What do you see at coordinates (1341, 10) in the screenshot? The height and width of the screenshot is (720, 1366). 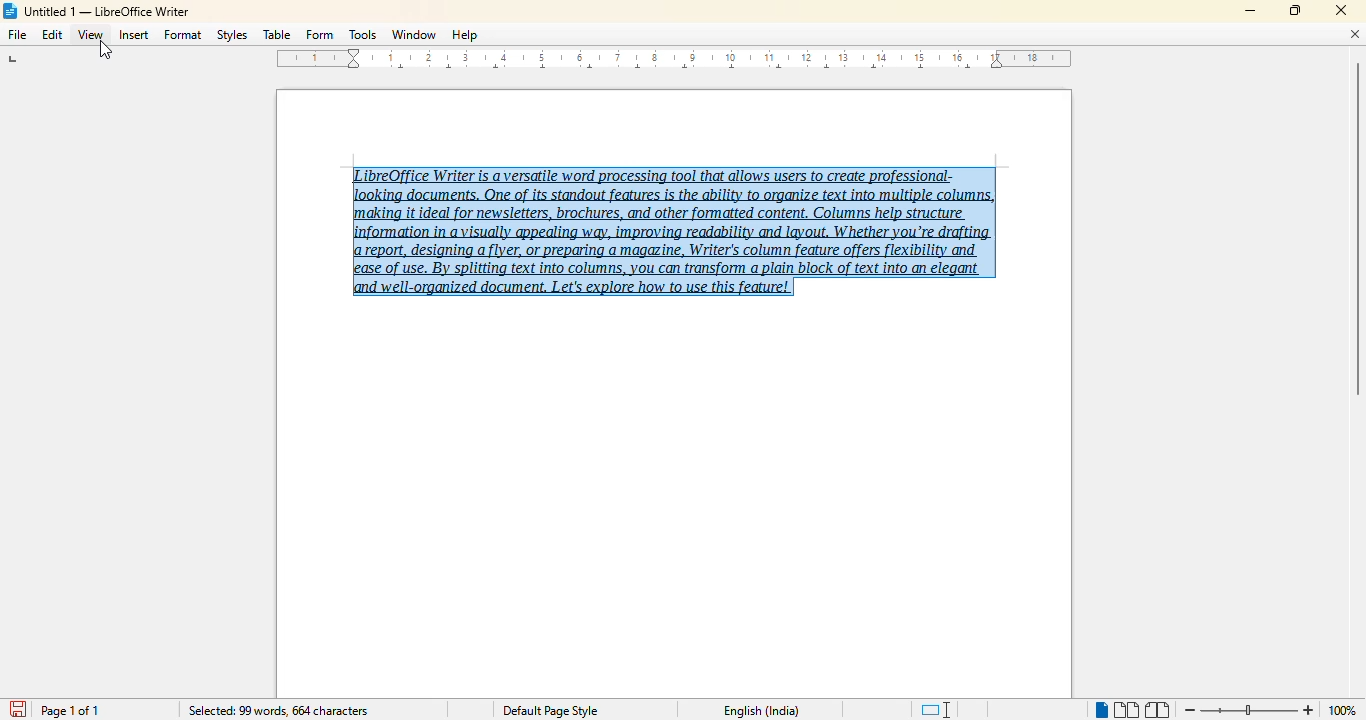 I see `close ` at bounding box center [1341, 10].